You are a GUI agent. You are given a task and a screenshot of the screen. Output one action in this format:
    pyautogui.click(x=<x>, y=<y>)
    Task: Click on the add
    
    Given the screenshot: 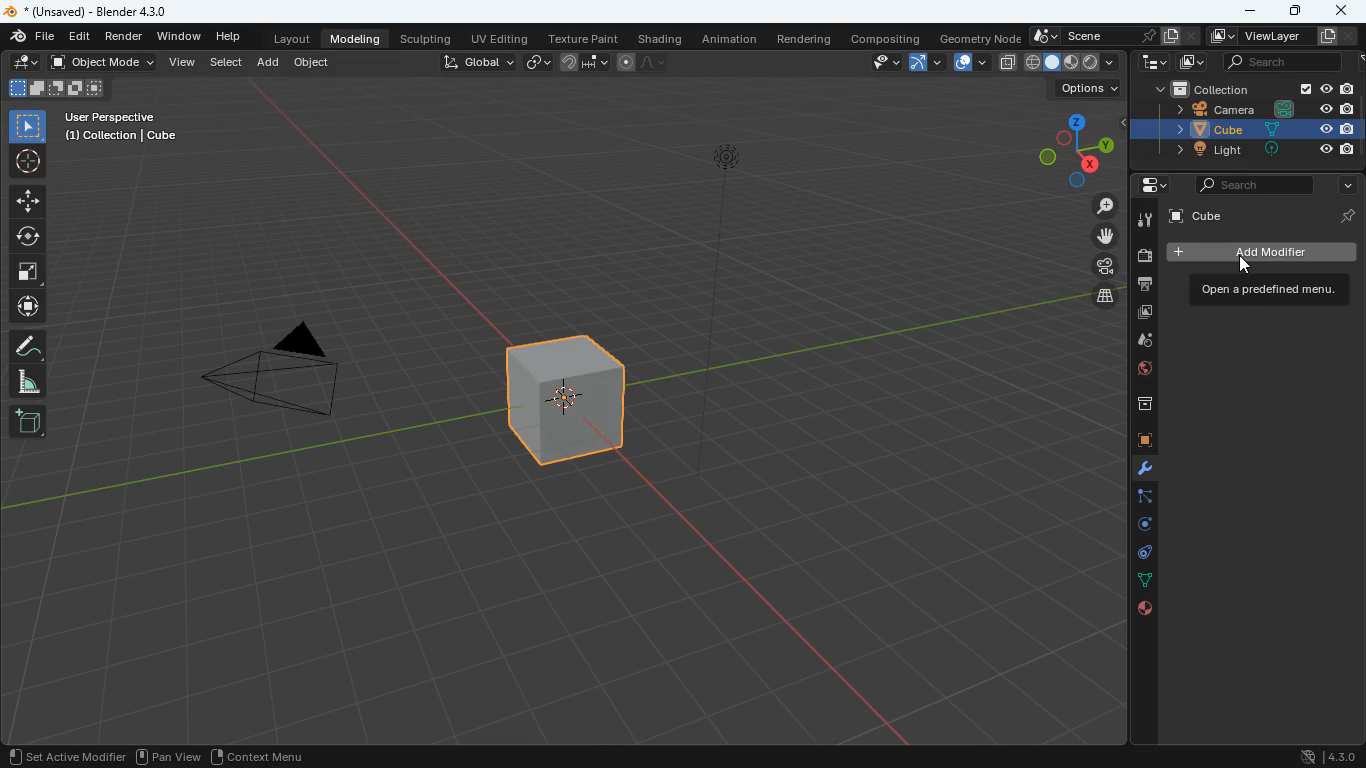 What is the action you would take?
    pyautogui.click(x=266, y=63)
    